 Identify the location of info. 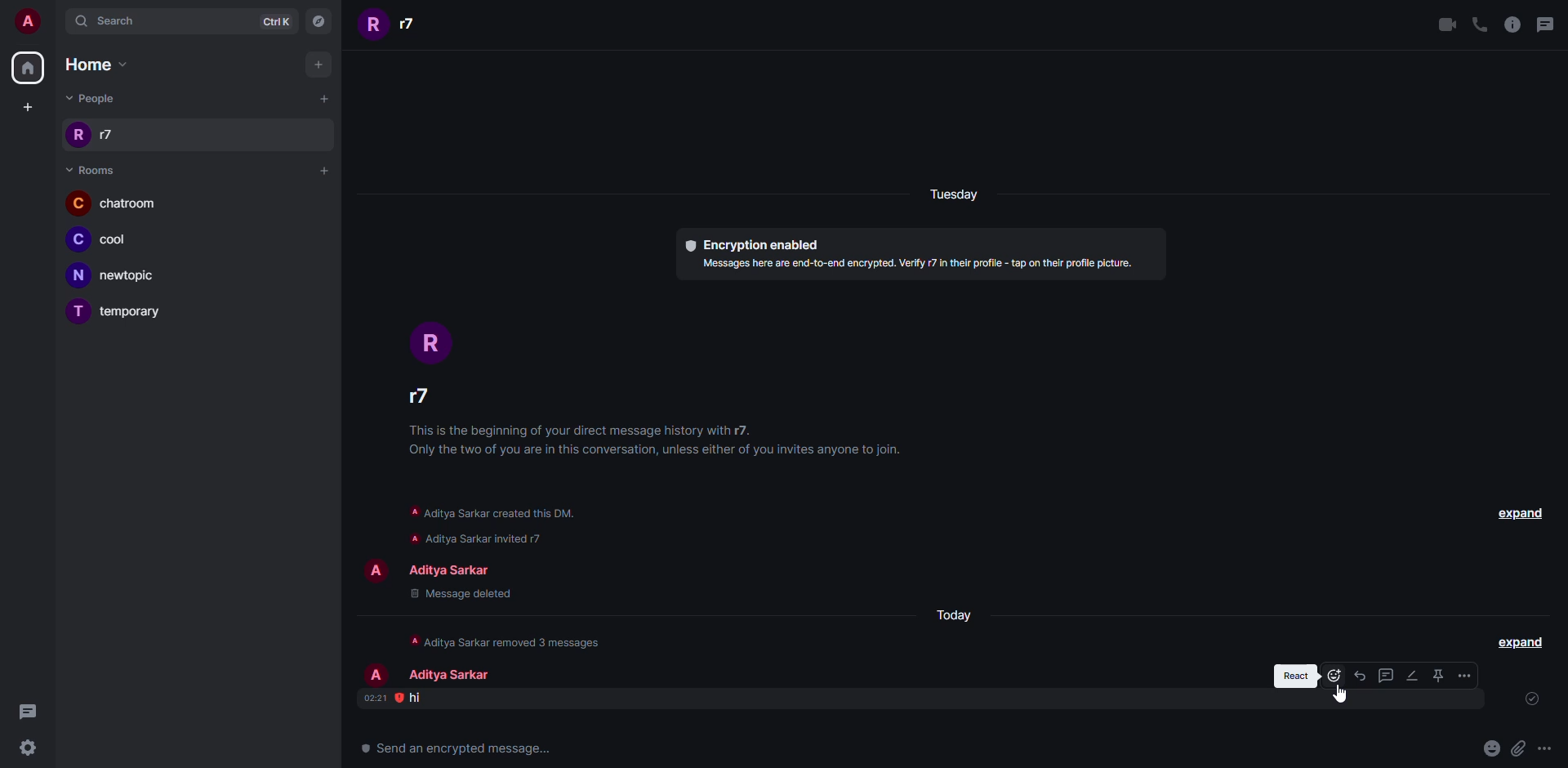
(493, 511).